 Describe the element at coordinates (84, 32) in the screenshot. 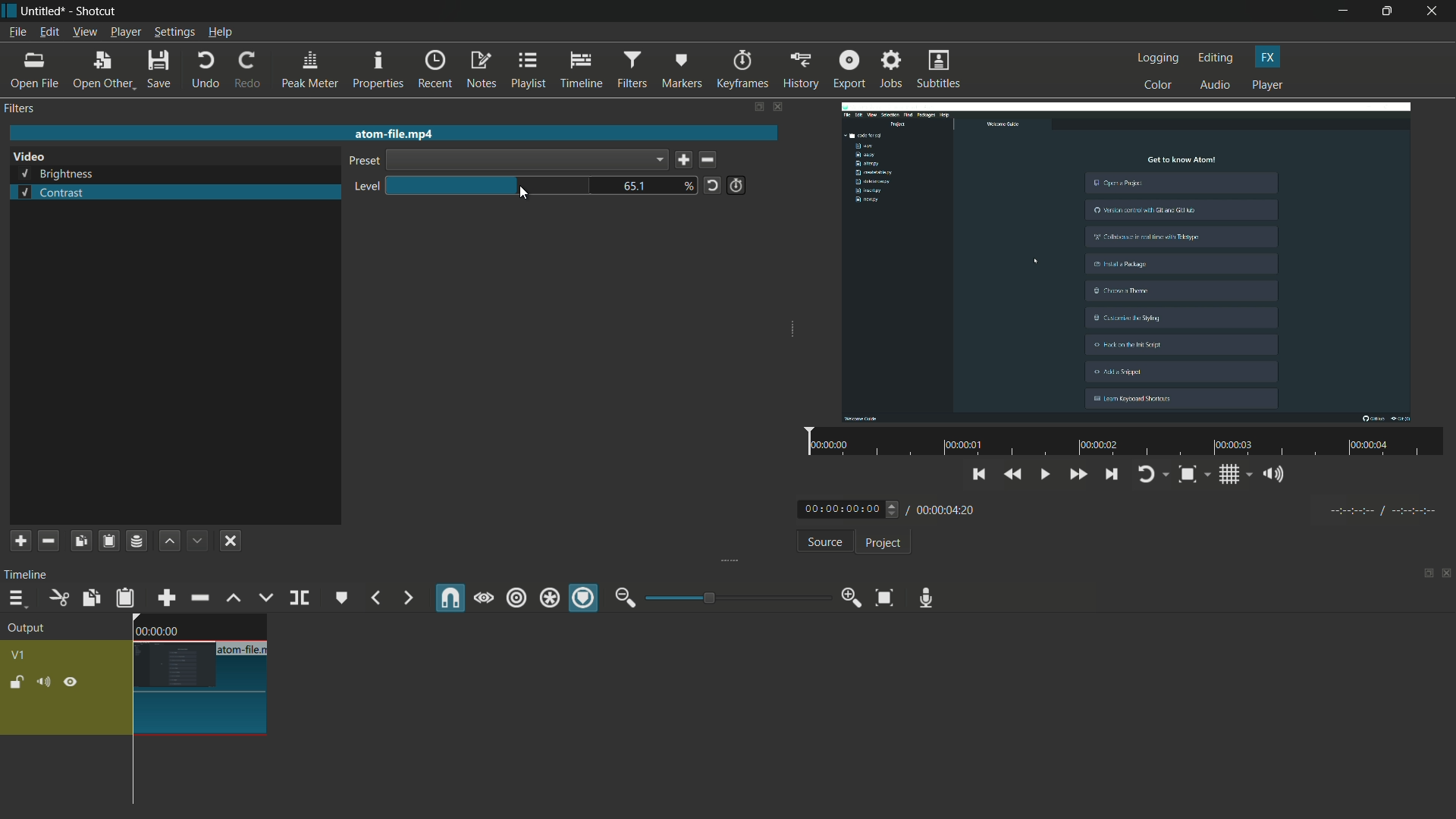

I see `view menu` at that location.